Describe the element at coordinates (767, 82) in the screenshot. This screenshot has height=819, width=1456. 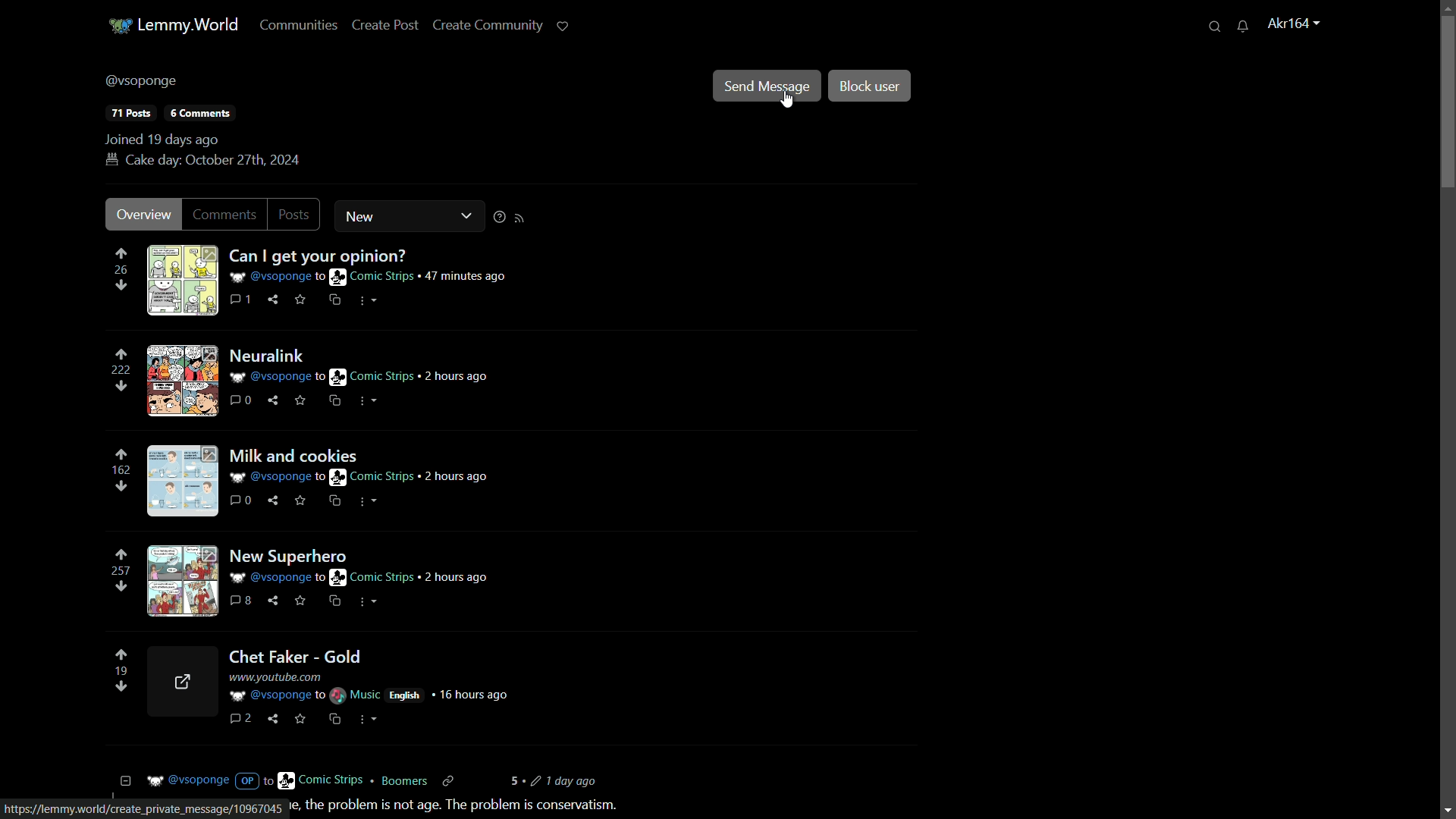
I see `send message` at that location.